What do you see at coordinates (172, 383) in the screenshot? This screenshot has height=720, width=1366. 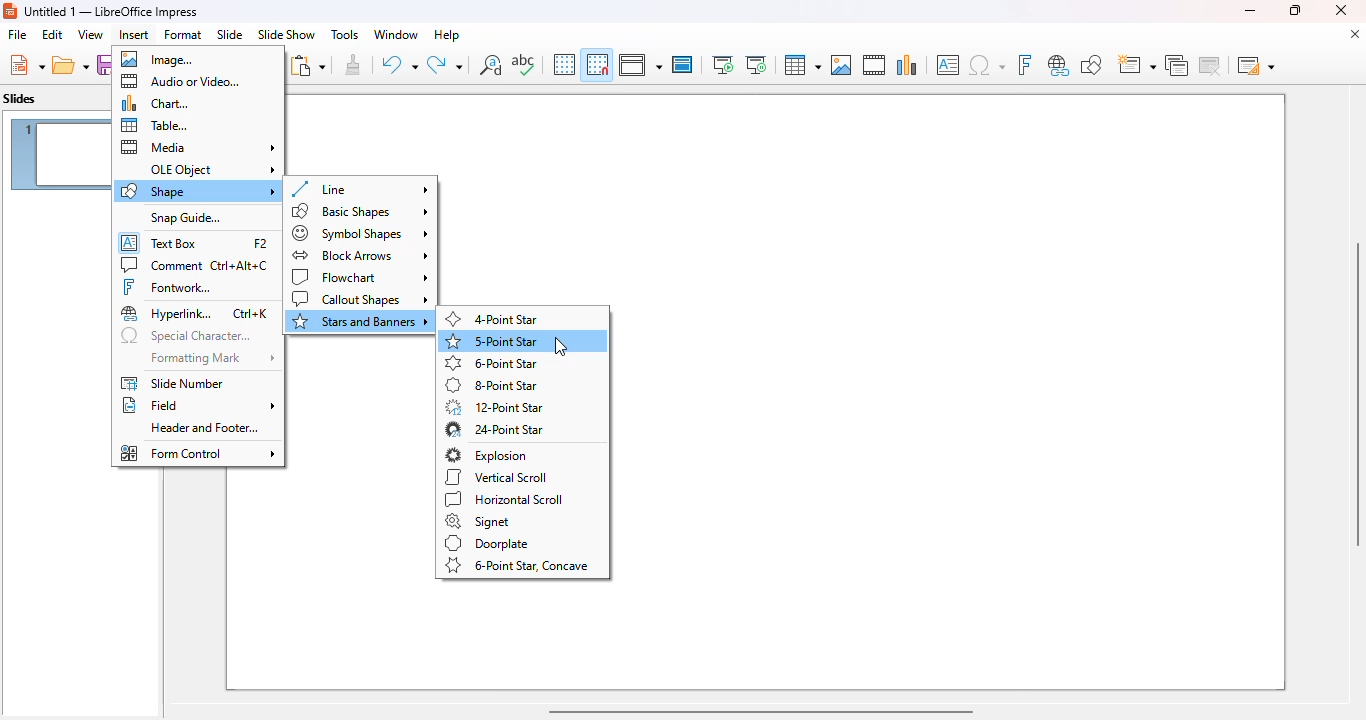 I see `slide number` at bounding box center [172, 383].